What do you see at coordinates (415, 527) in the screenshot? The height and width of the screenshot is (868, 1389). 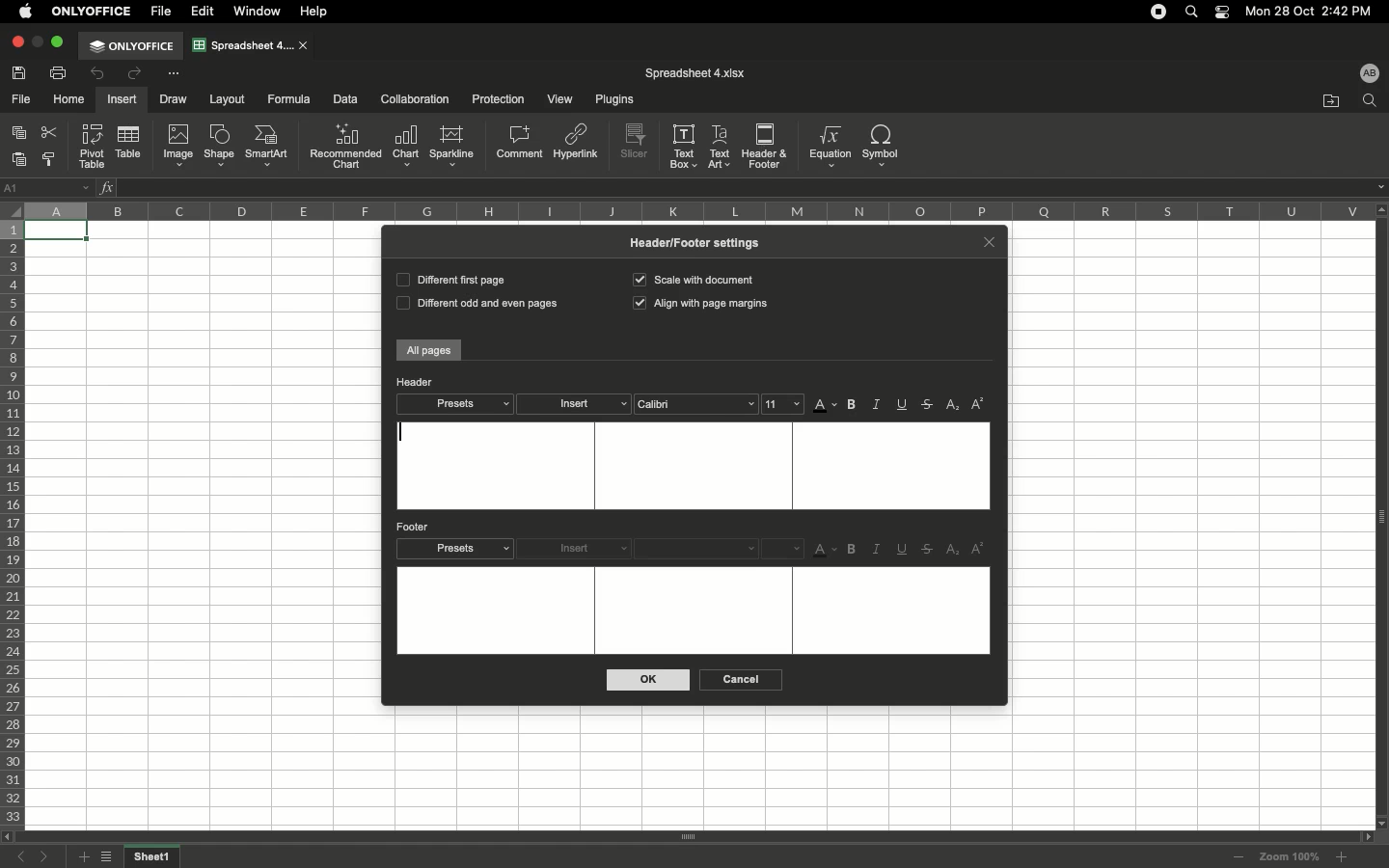 I see `Footer` at bounding box center [415, 527].